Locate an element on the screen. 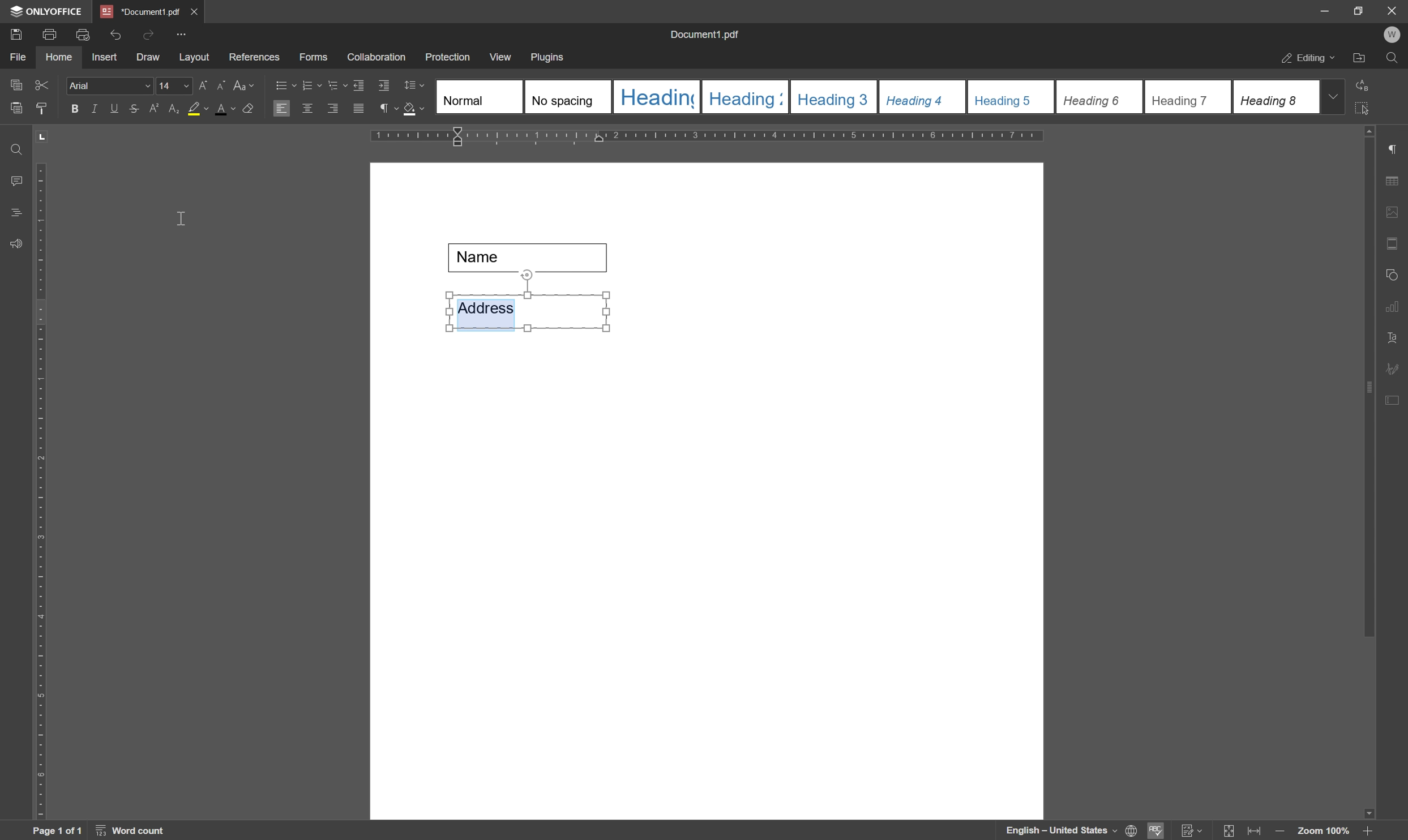  undo is located at coordinates (115, 32).